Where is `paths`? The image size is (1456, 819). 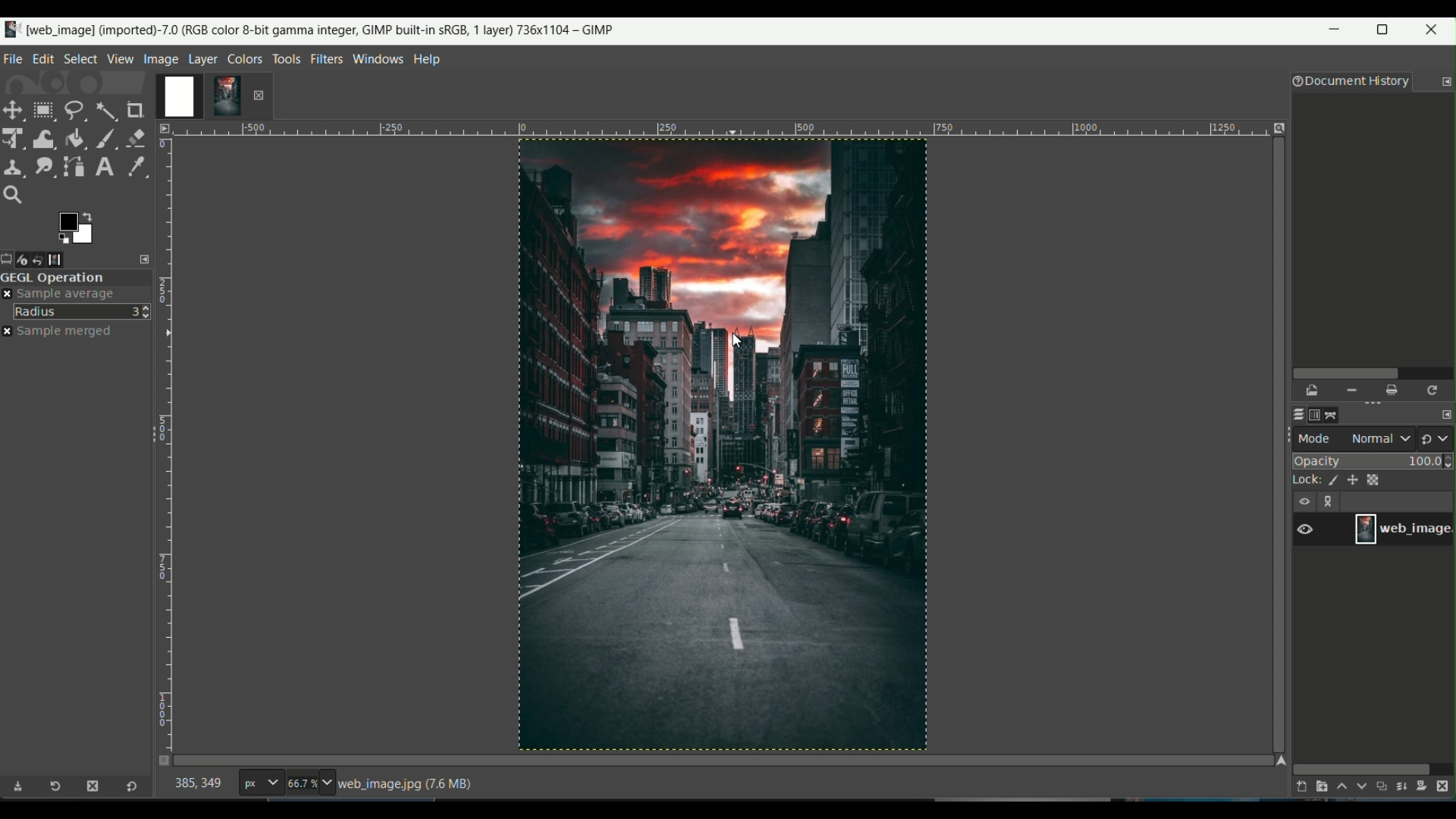
paths is located at coordinates (1336, 413).